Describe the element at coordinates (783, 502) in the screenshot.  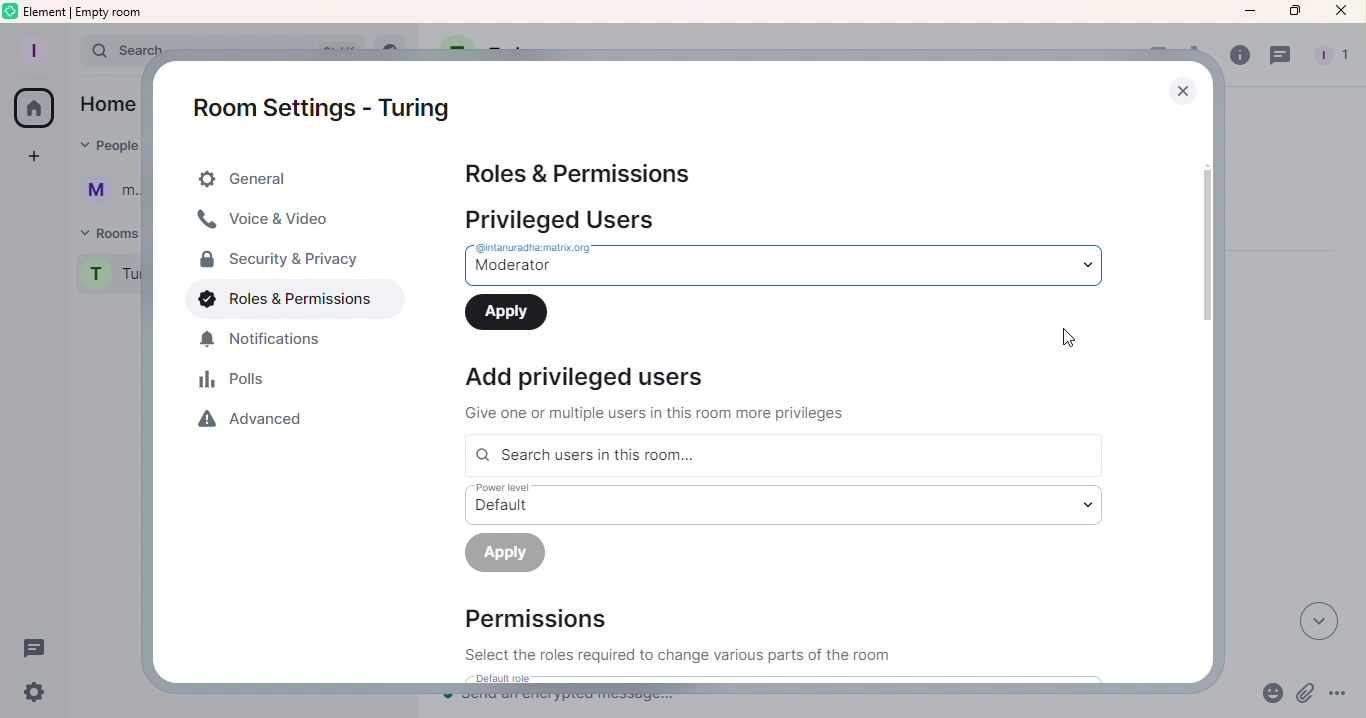
I see `Drop down menu` at that location.